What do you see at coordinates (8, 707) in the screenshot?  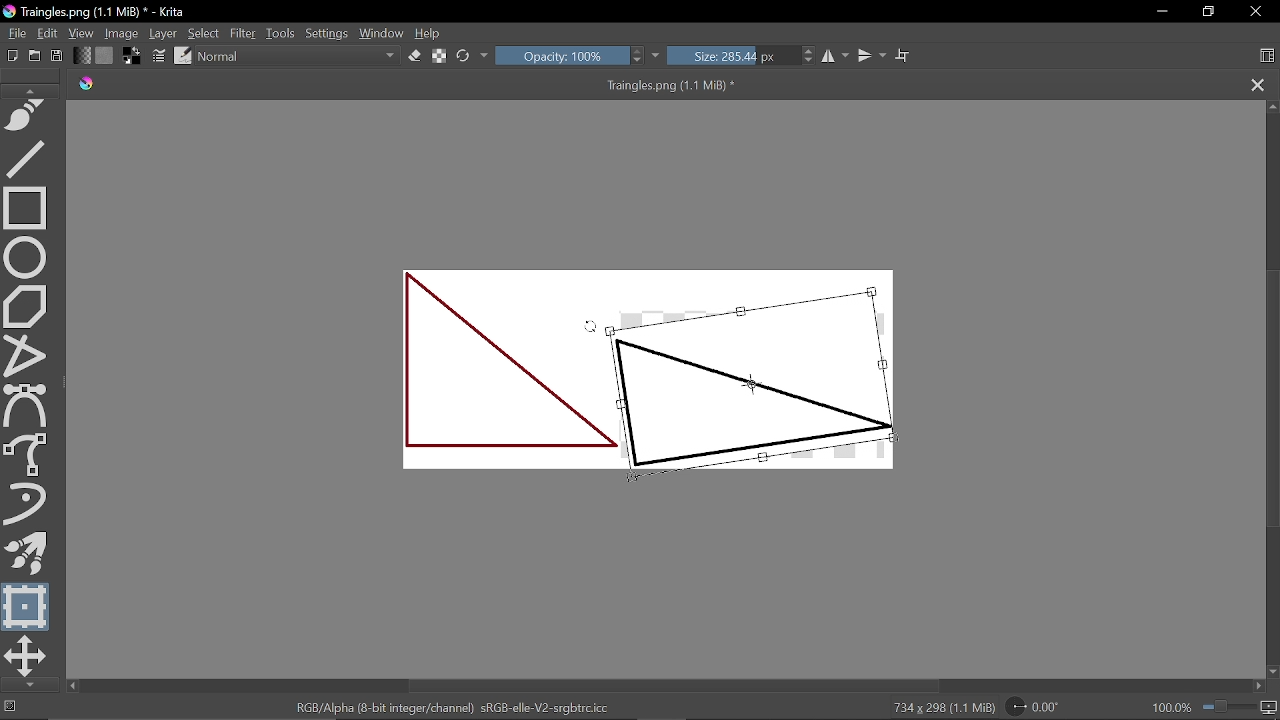 I see `No selection` at bounding box center [8, 707].